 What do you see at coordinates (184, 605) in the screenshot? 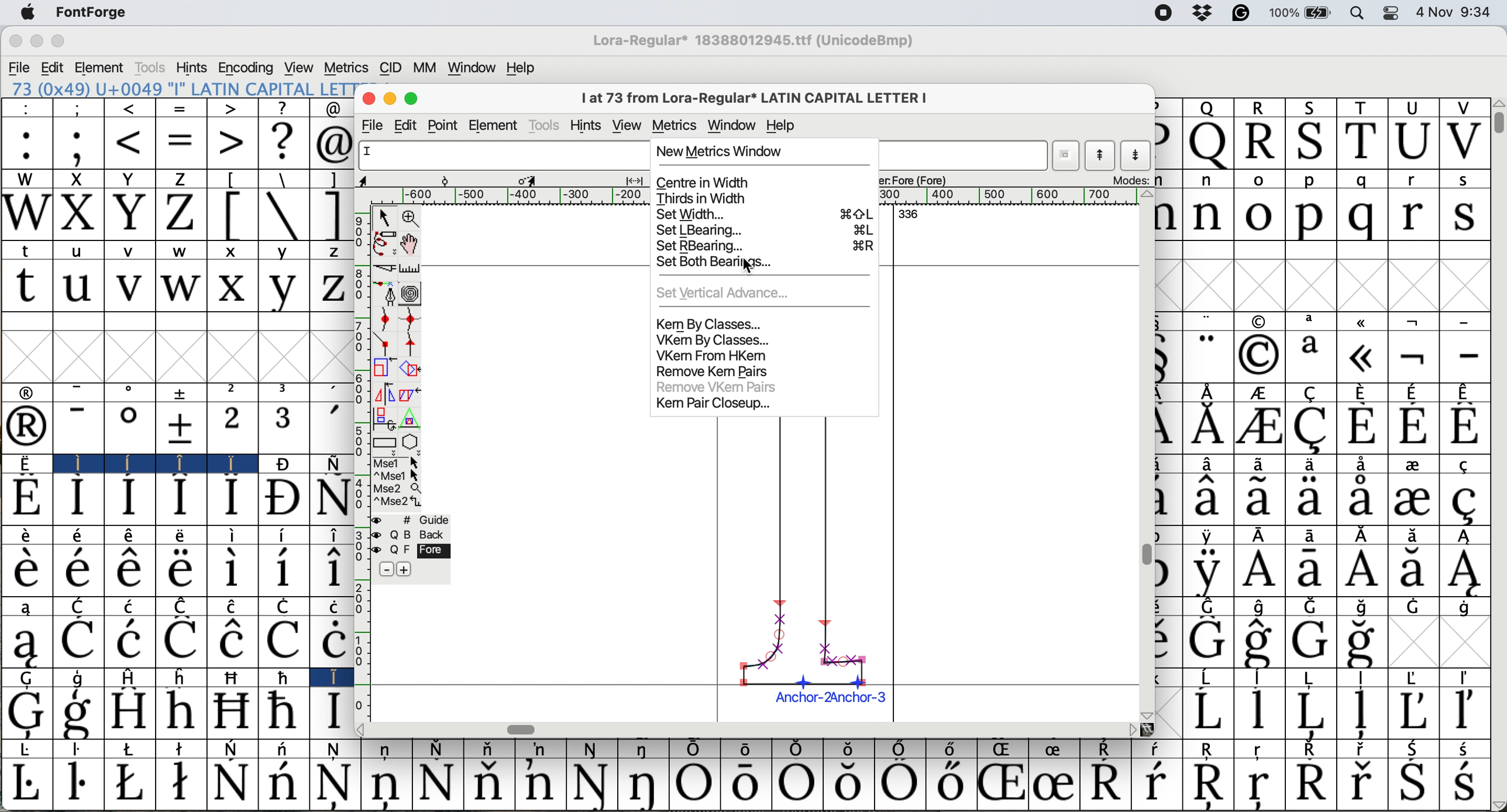
I see `Symbol` at bounding box center [184, 605].